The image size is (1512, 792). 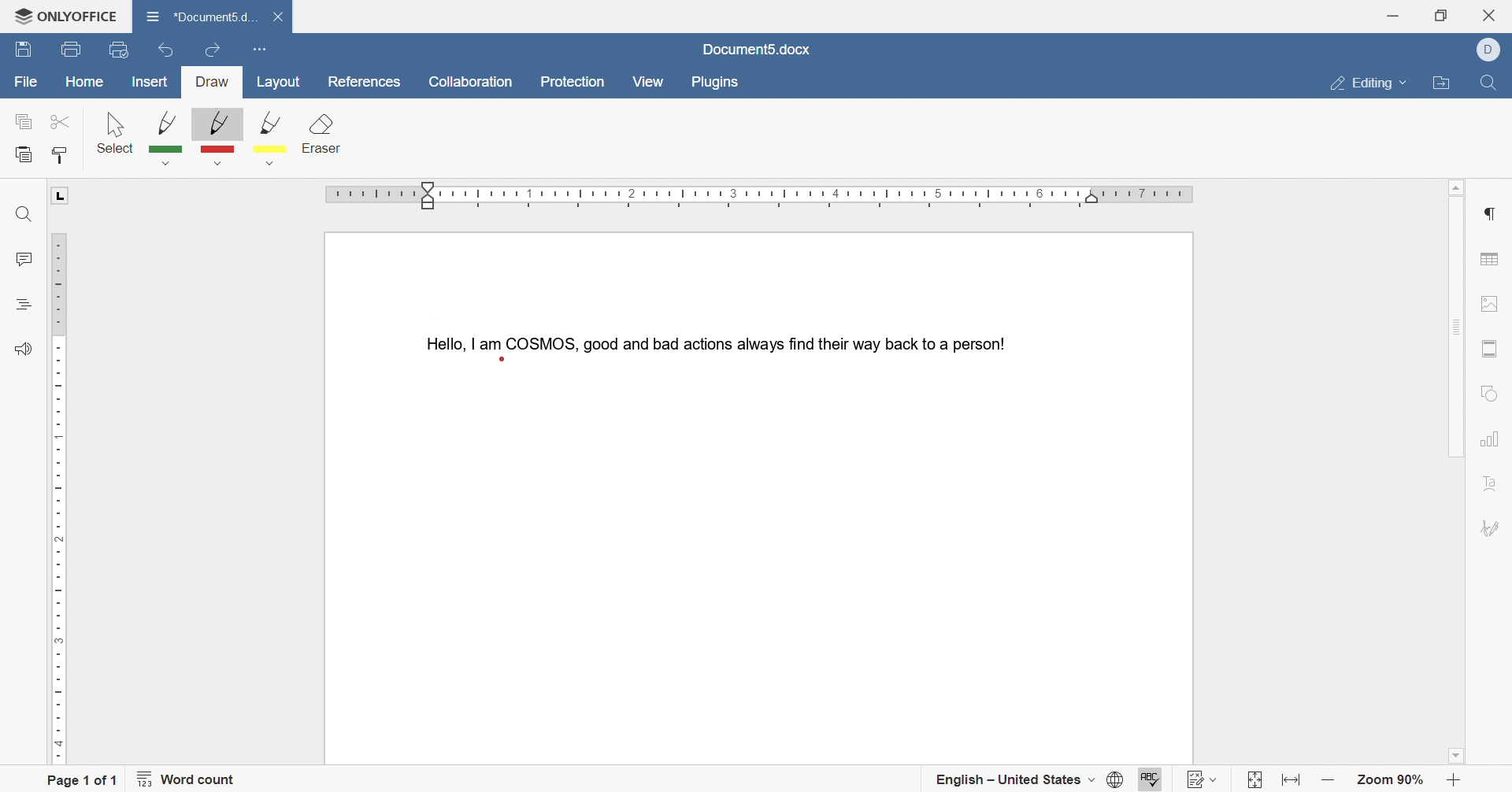 I want to click on zoom 90%, so click(x=1392, y=781).